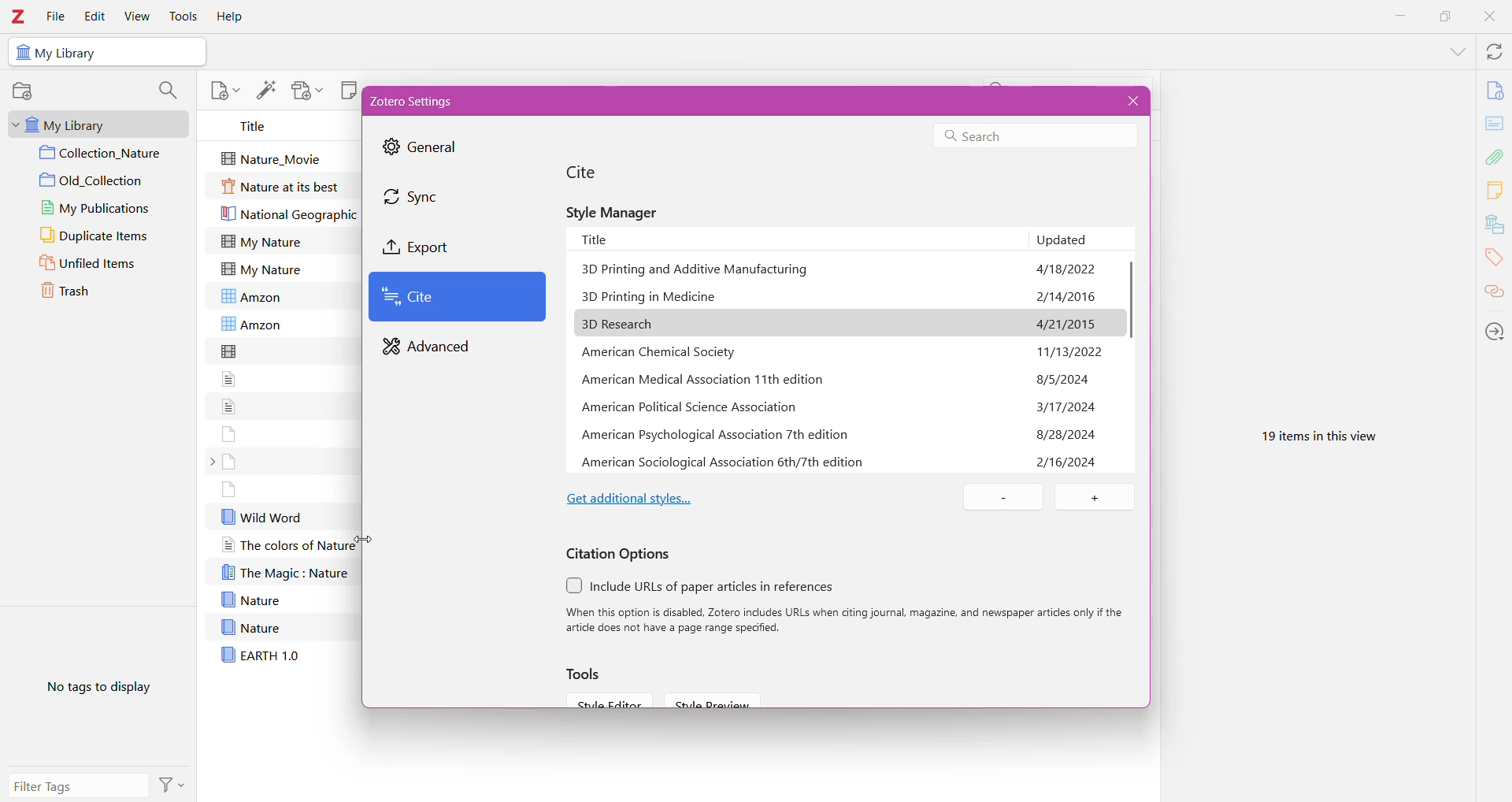  Describe the element at coordinates (427, 198) in the screenshot. I see `Sync` at that location.